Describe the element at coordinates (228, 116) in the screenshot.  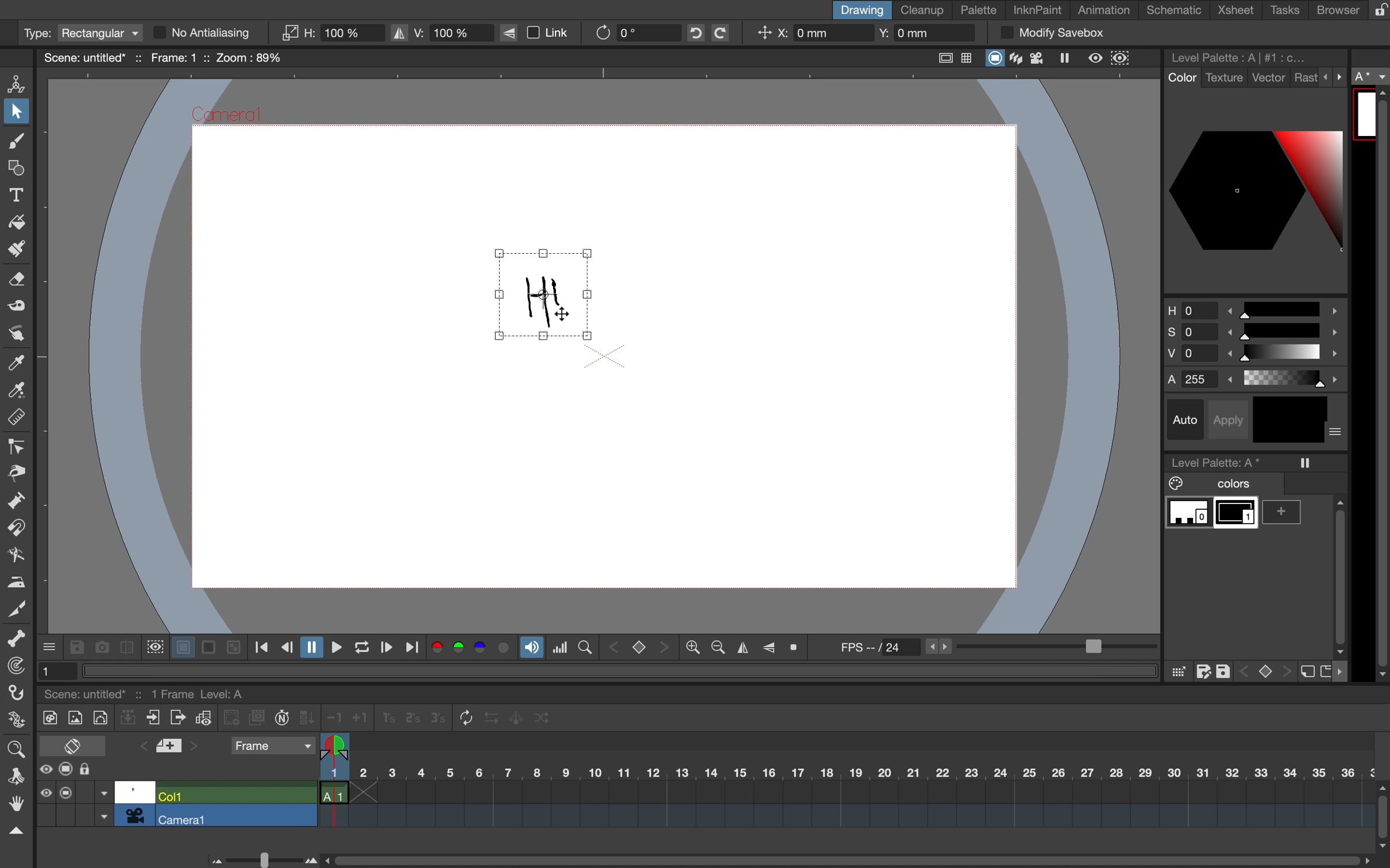
I see `Camera1` at that location.